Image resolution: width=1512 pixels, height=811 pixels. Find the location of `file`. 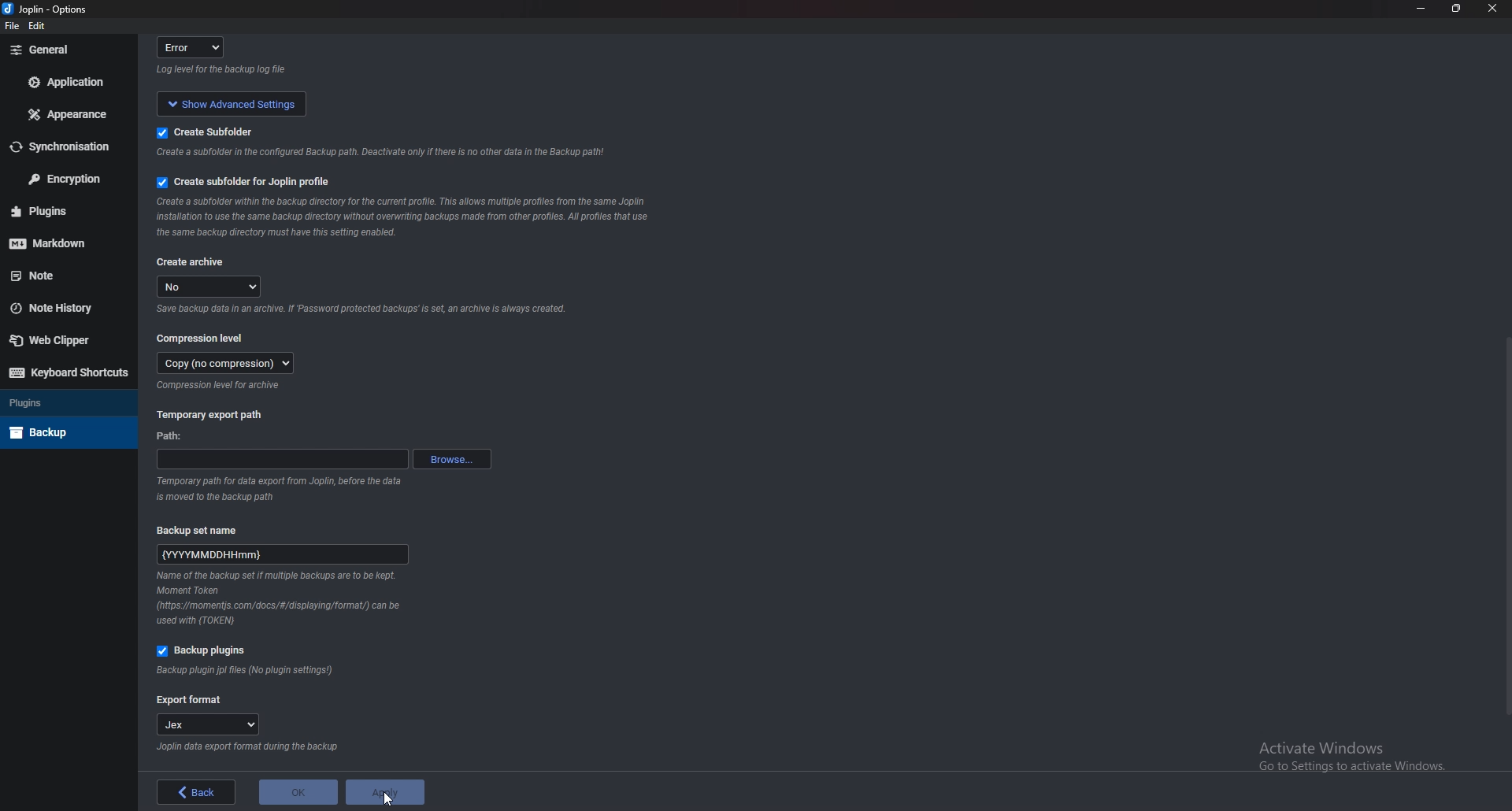

file is located at coordinates (13, 27).